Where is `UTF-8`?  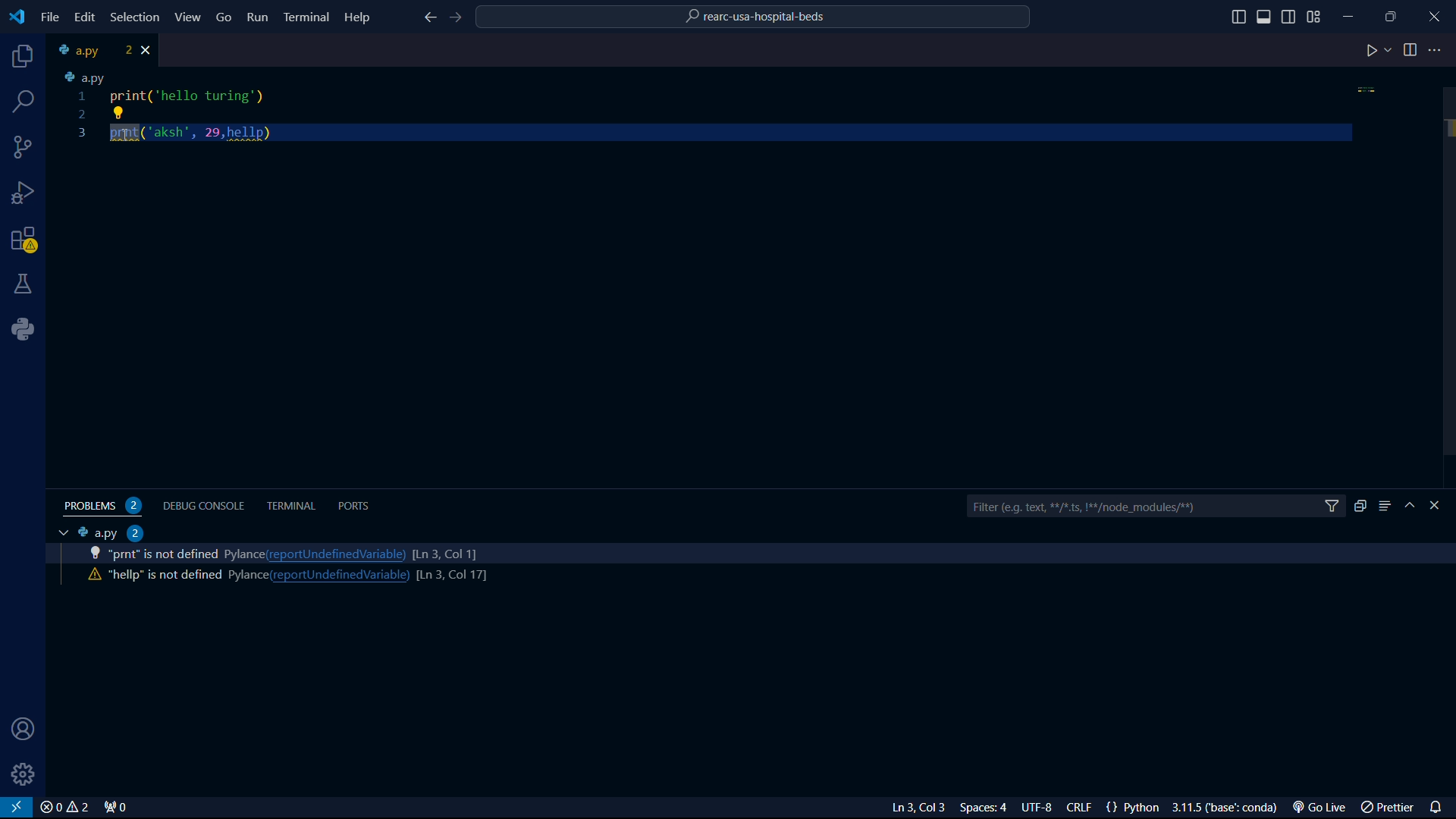
UTF-8 is located at coordinates (1043, 808).